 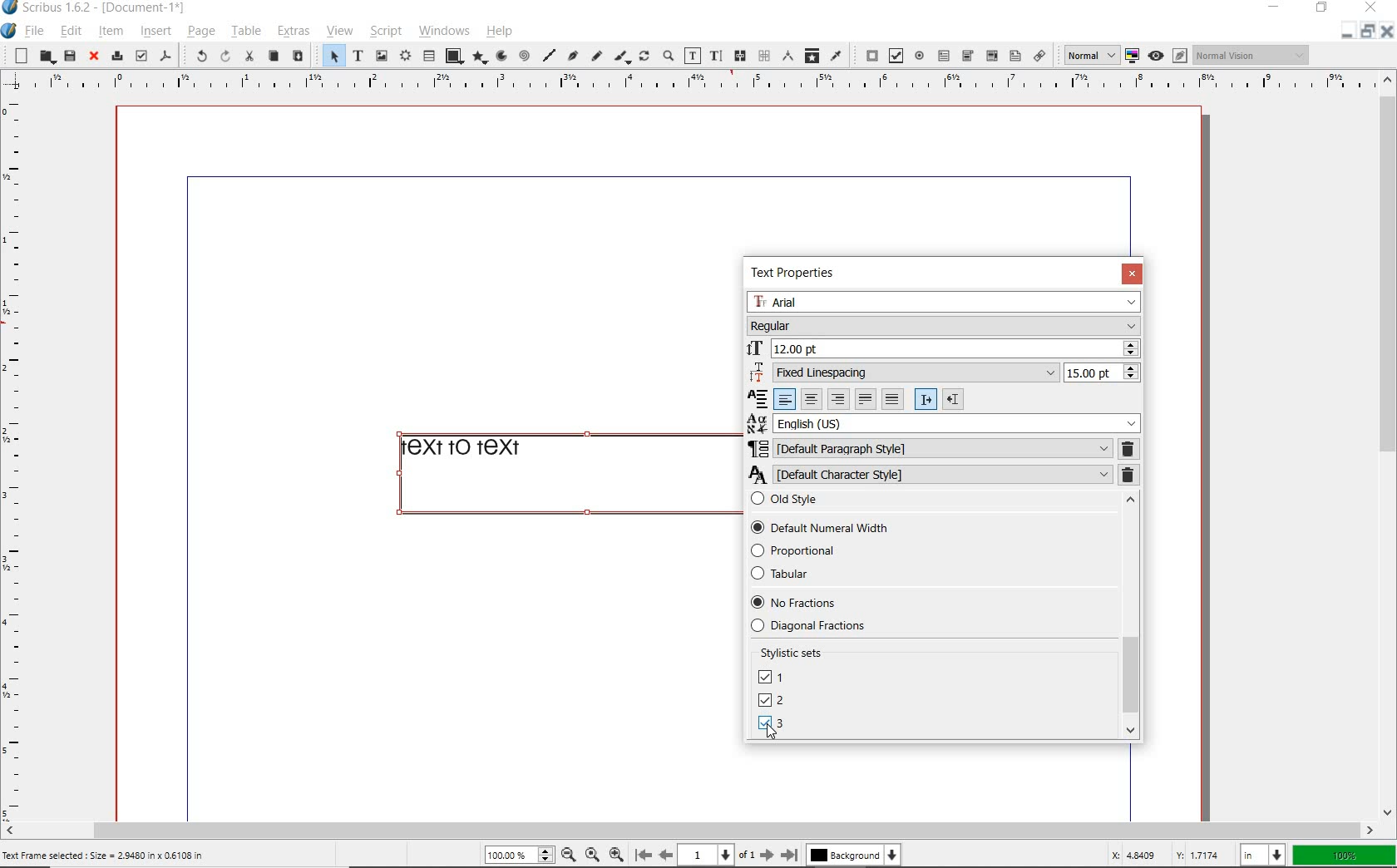 What do you see at coordinates (895, 56) in the screenshot?
I see `pdf check box` at bounding box center [895, 56].